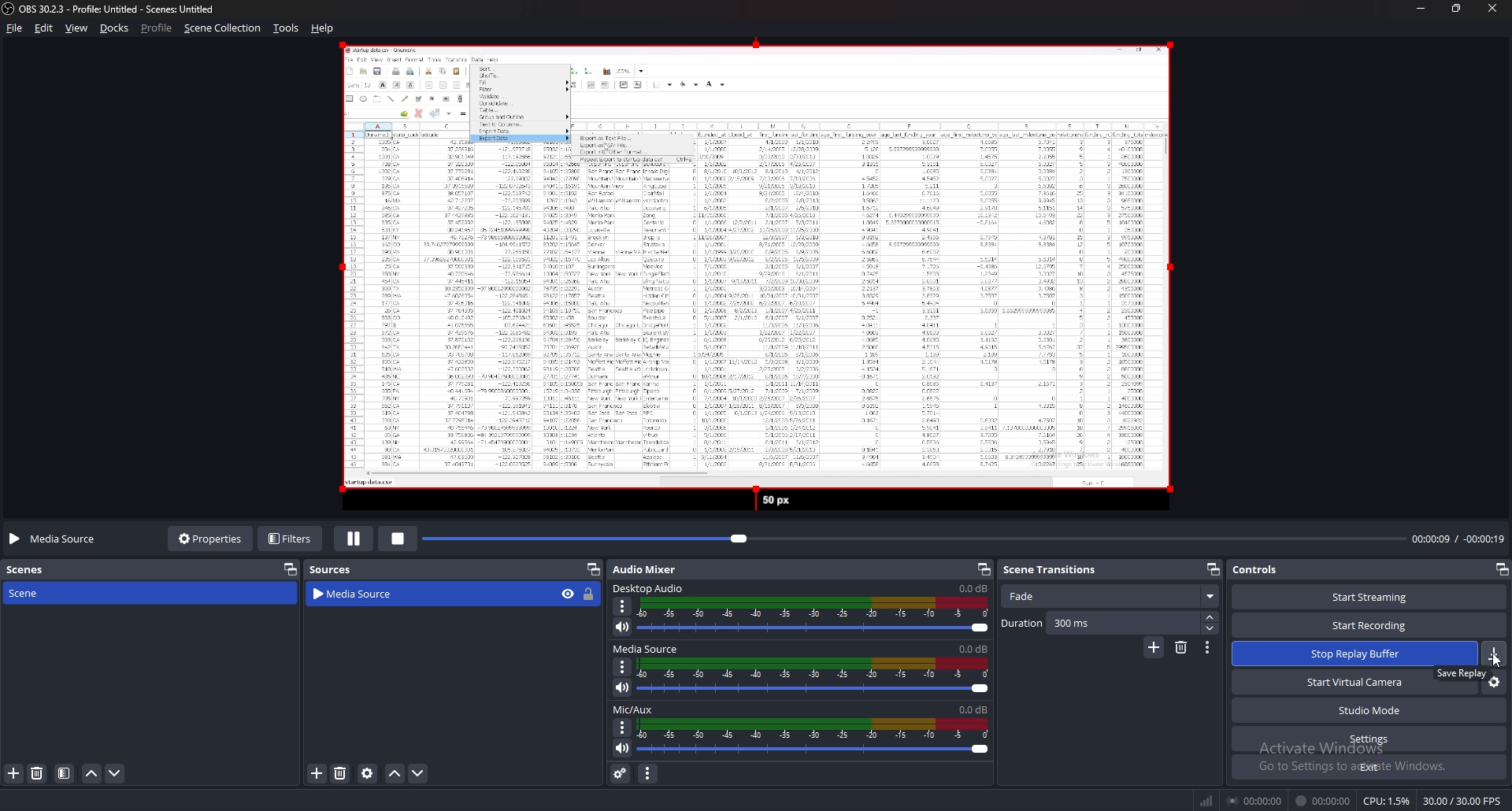  I want to click on options, so click(624, 606).